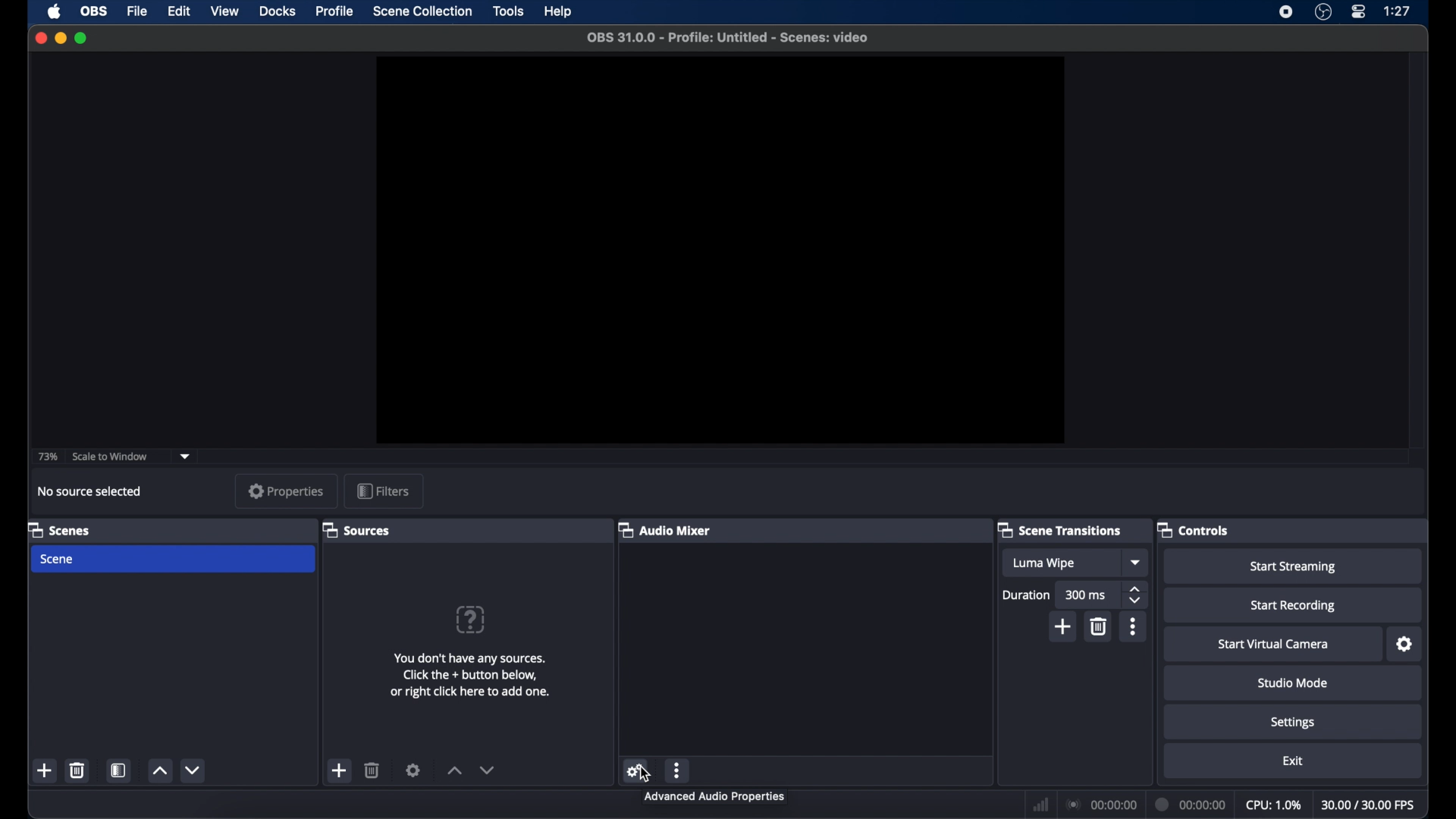 The image size is (1456, 819). I want to click on add, so click(1065, 626).